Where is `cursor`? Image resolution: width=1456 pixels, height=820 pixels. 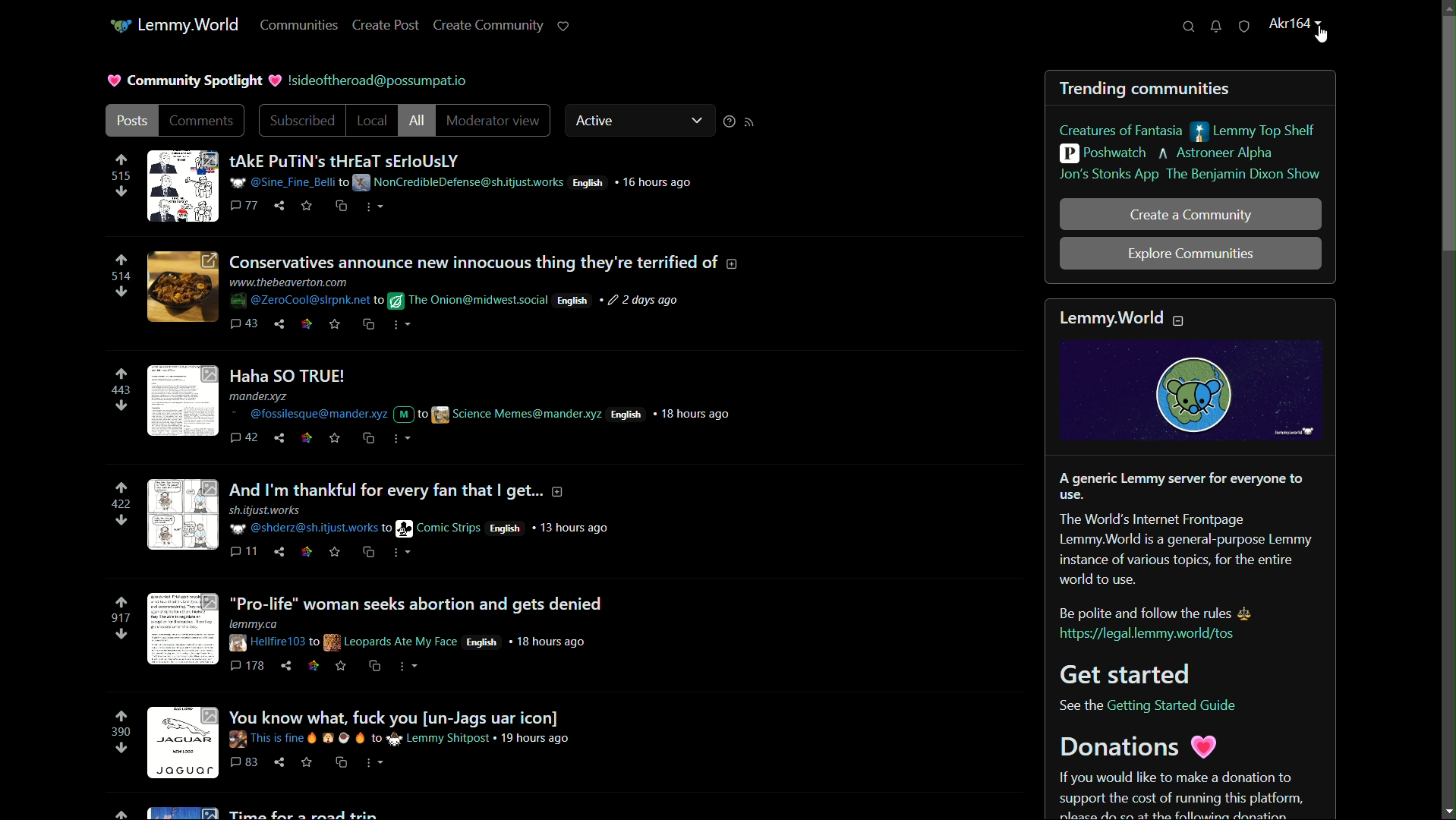
cursor is located at coordinates (380, 80).